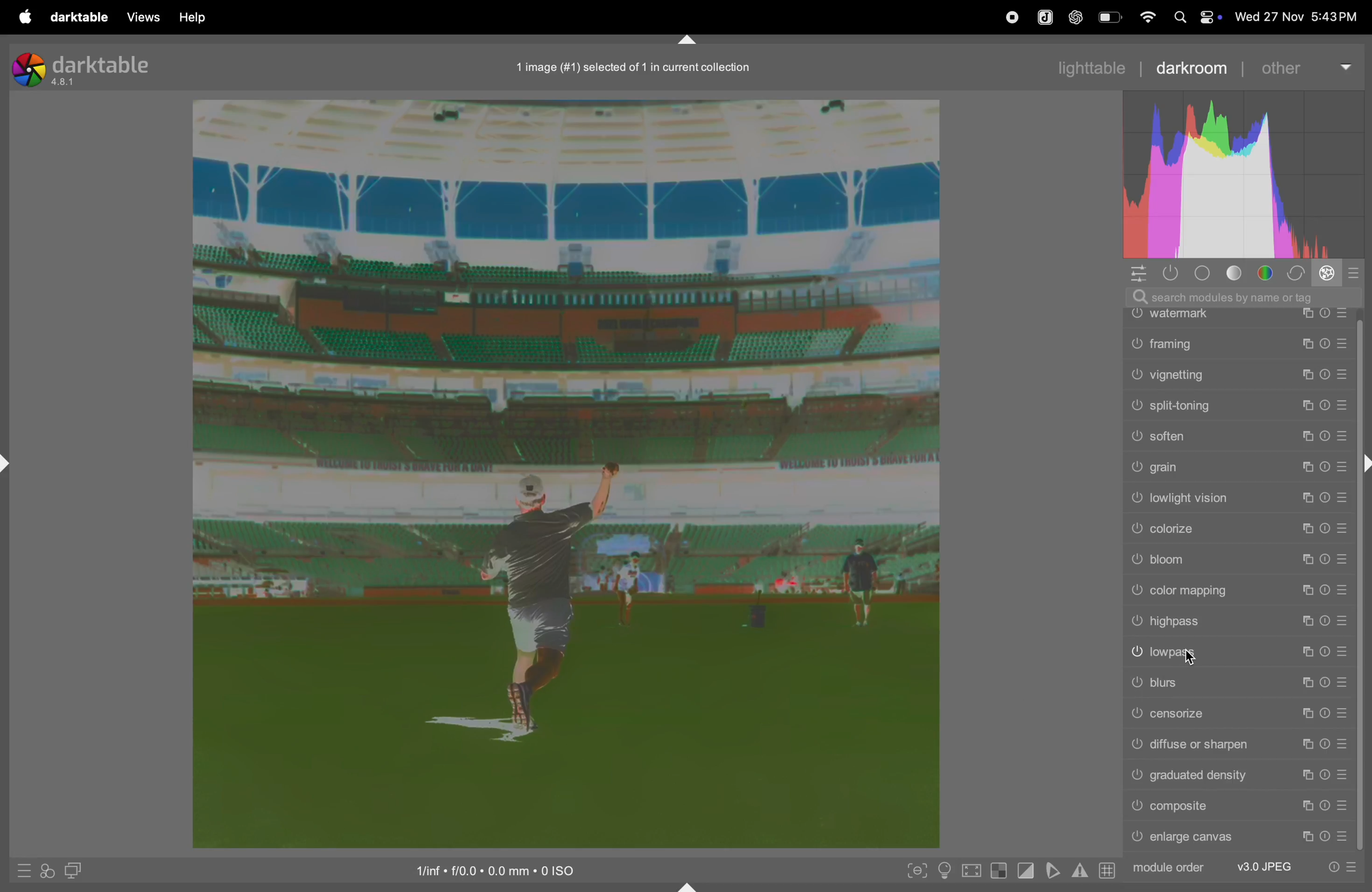  What do you see at coordinates (916, 873) in the screenshot?
I see `toggle peaking foucus mode` at bounding box center [916, 873].